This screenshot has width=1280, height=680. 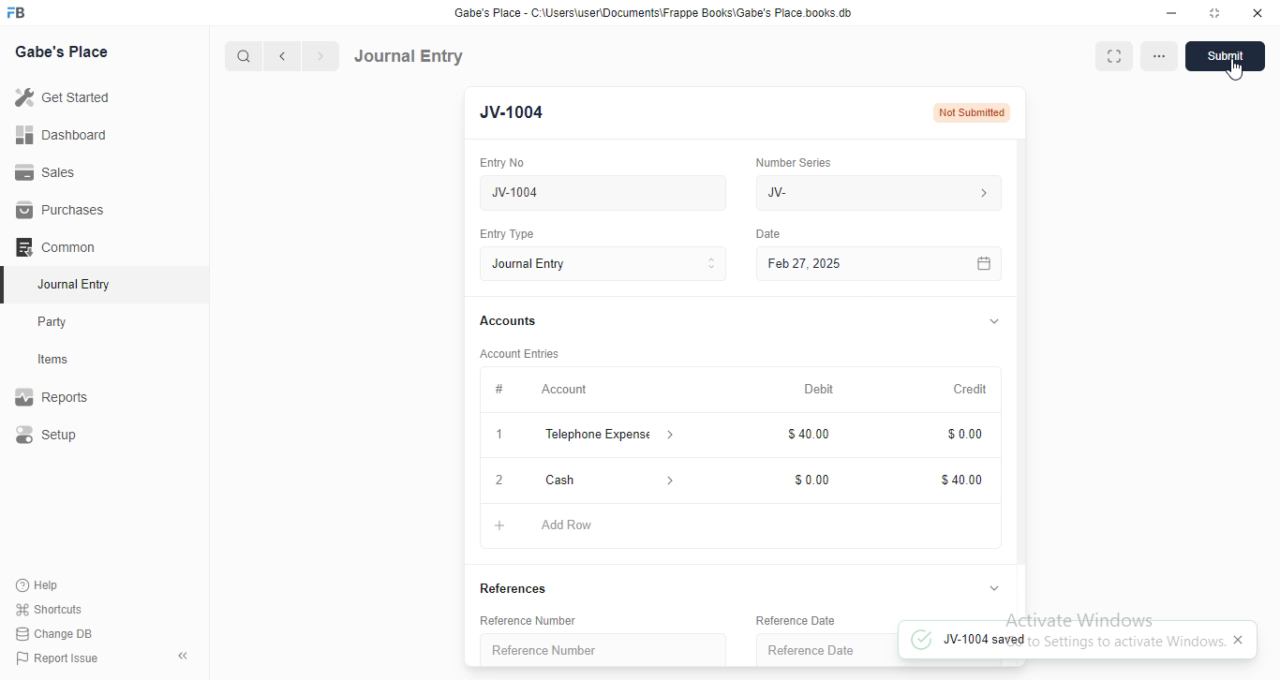 I want to click on Collapse, so click(x=184, y=656).